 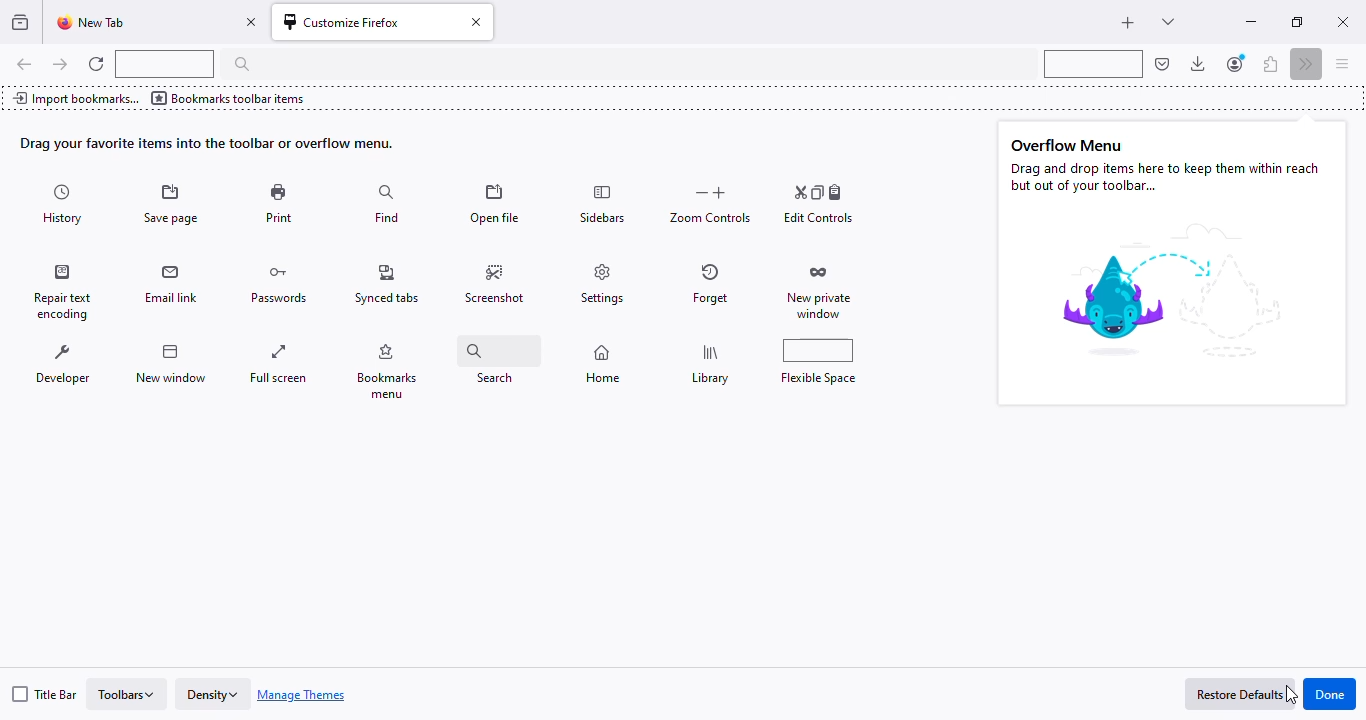 I want to click on forget, so click(x=709, y=284).